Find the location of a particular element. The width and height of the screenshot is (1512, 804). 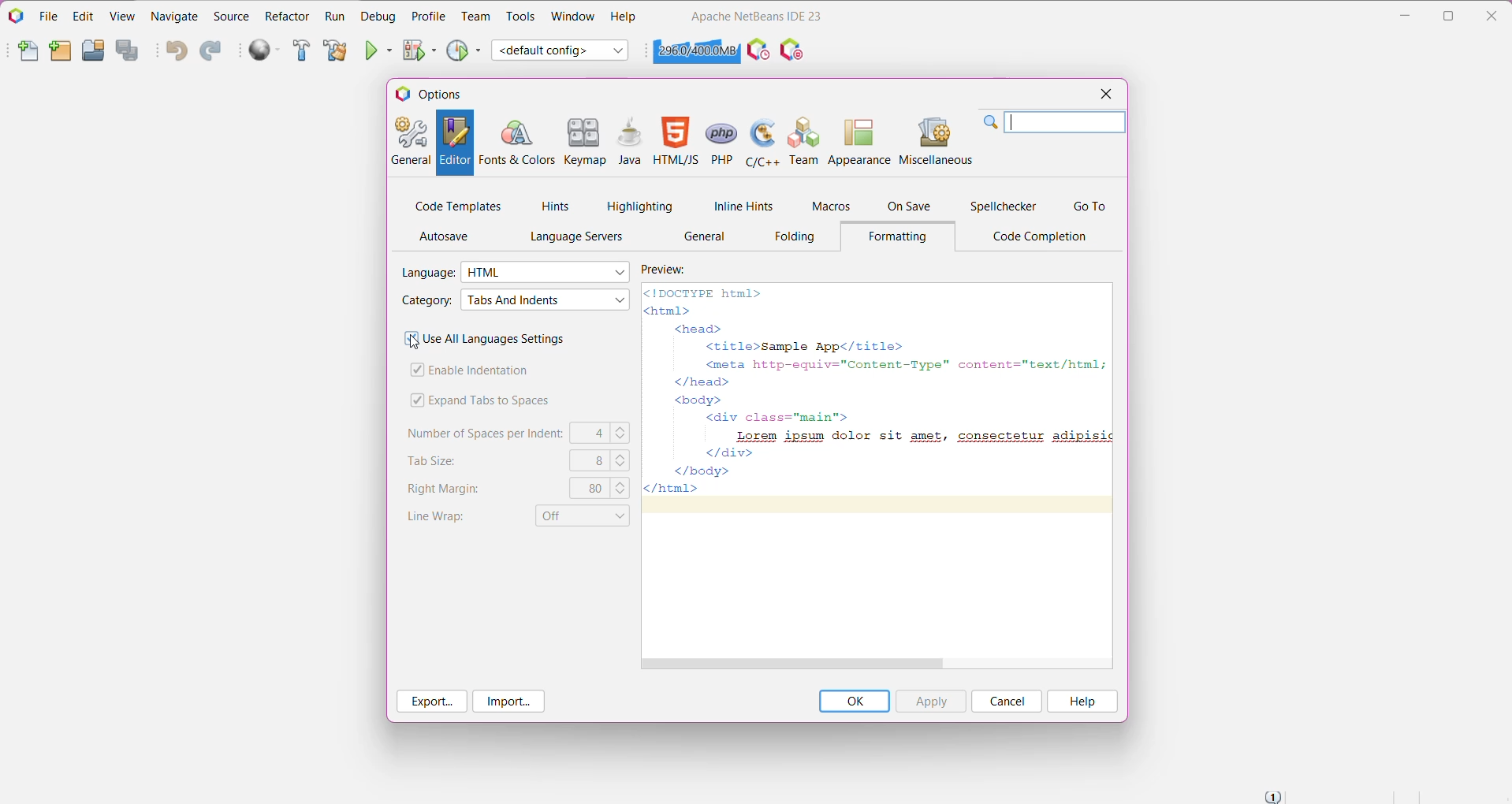

HTML/JS is located at coordinates (676, 143).